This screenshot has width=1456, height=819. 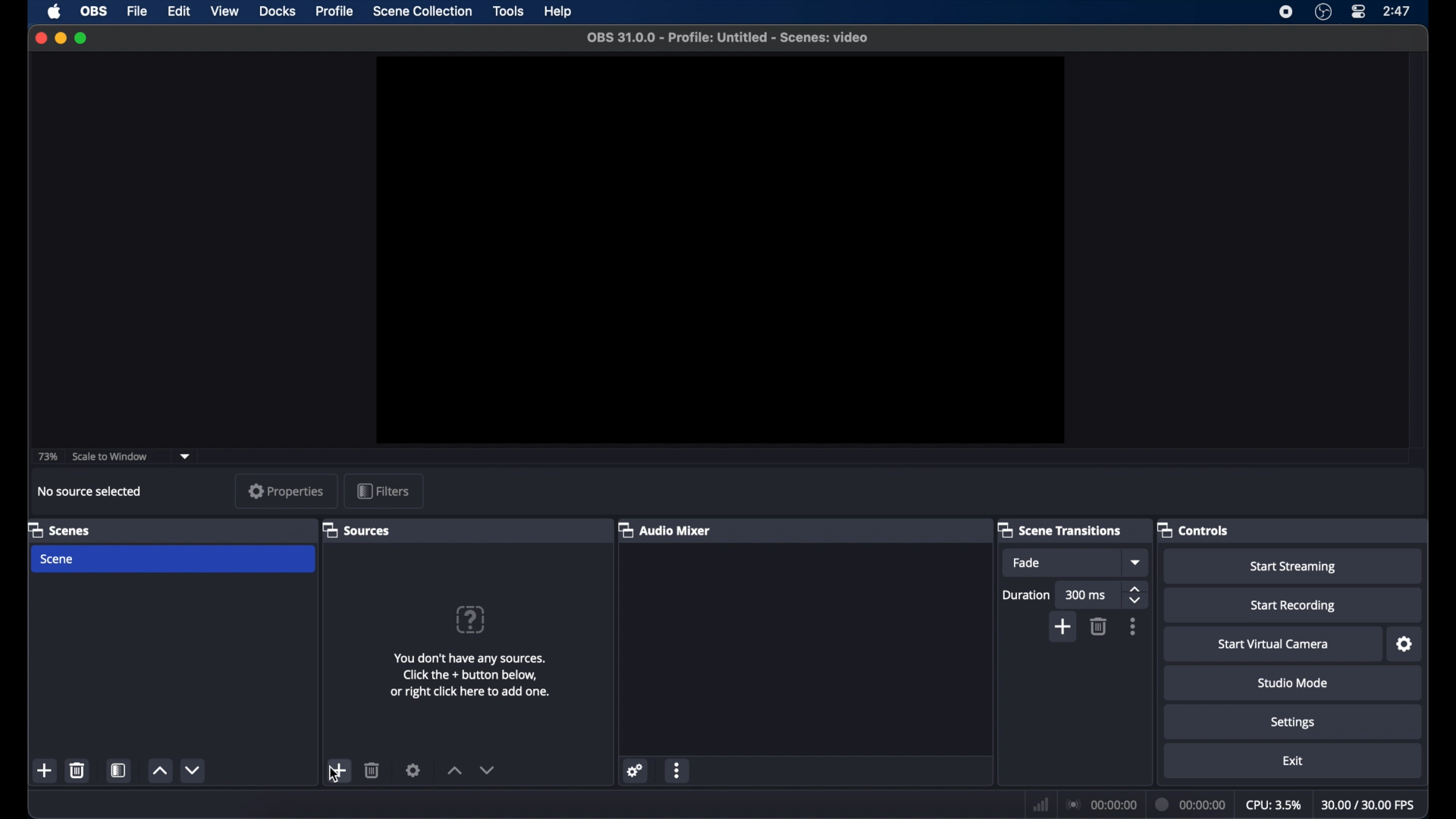 What do you see at coordinates (1293, 723) in the screenshot?
I see `settings` at bounding box center [1293, 723].